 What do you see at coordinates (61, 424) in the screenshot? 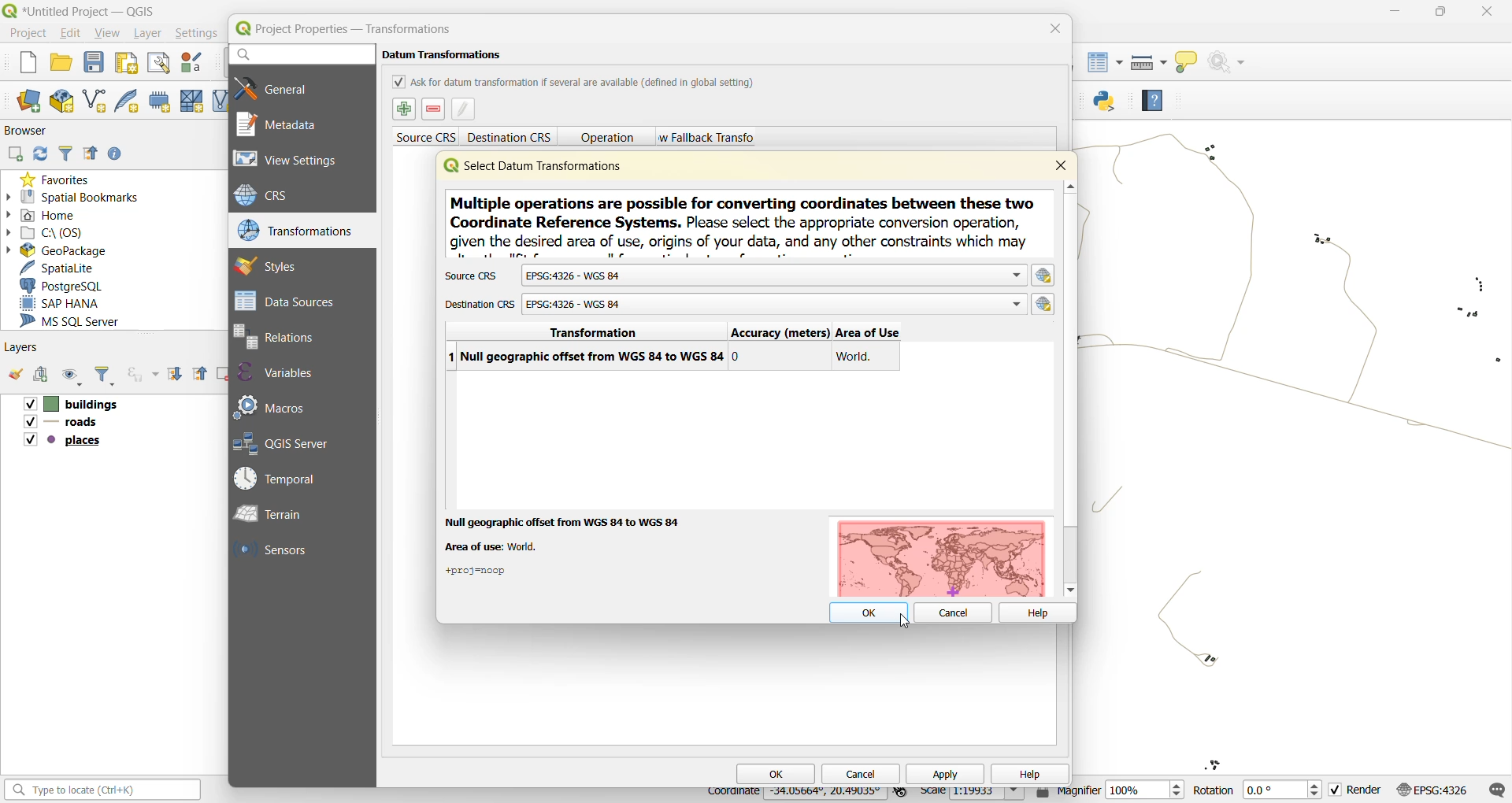
I see `roads` at bounding box center [61, 424].